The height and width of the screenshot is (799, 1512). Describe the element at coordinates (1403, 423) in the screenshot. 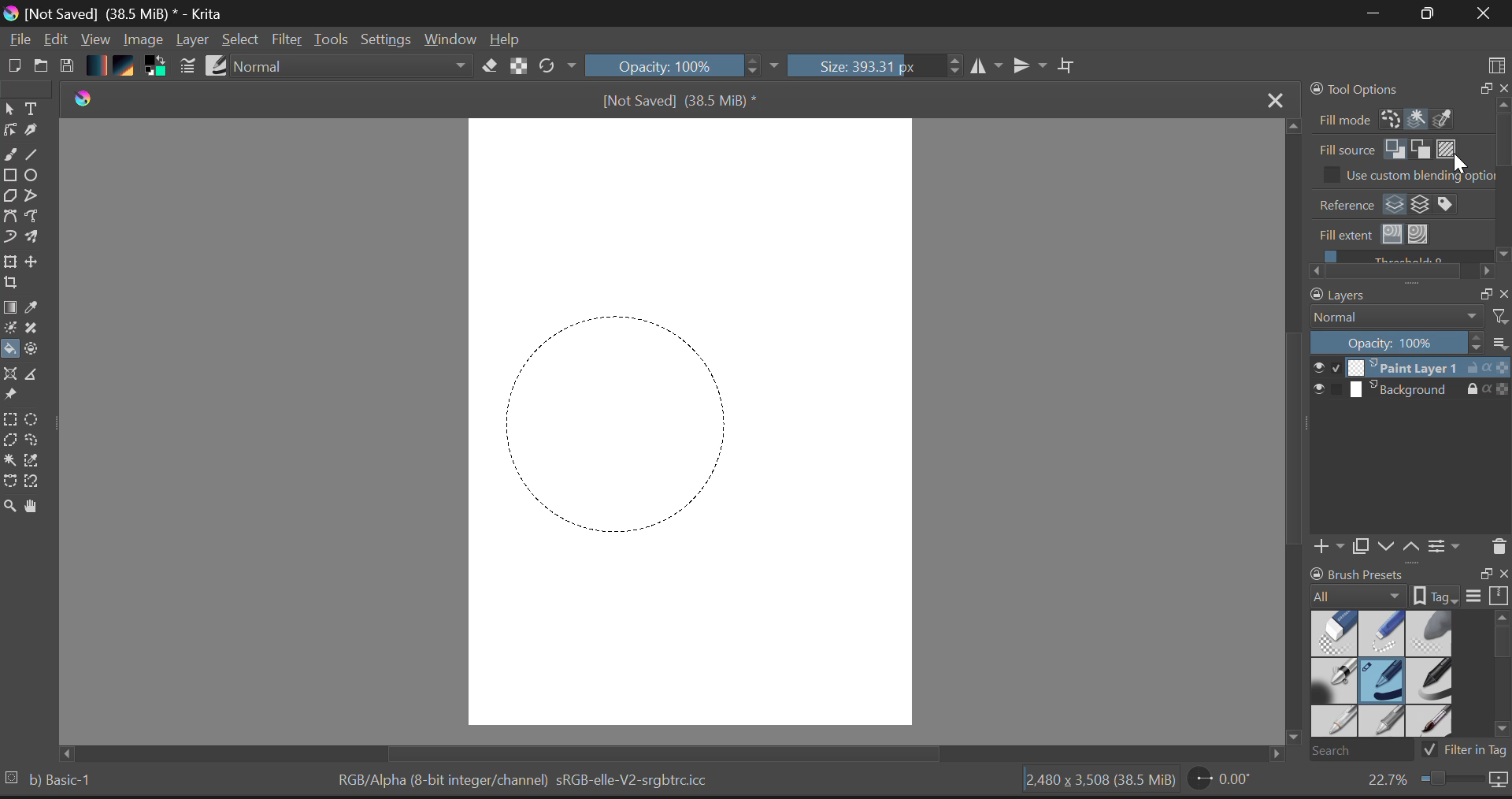

I see `Layers Docker` at that location.